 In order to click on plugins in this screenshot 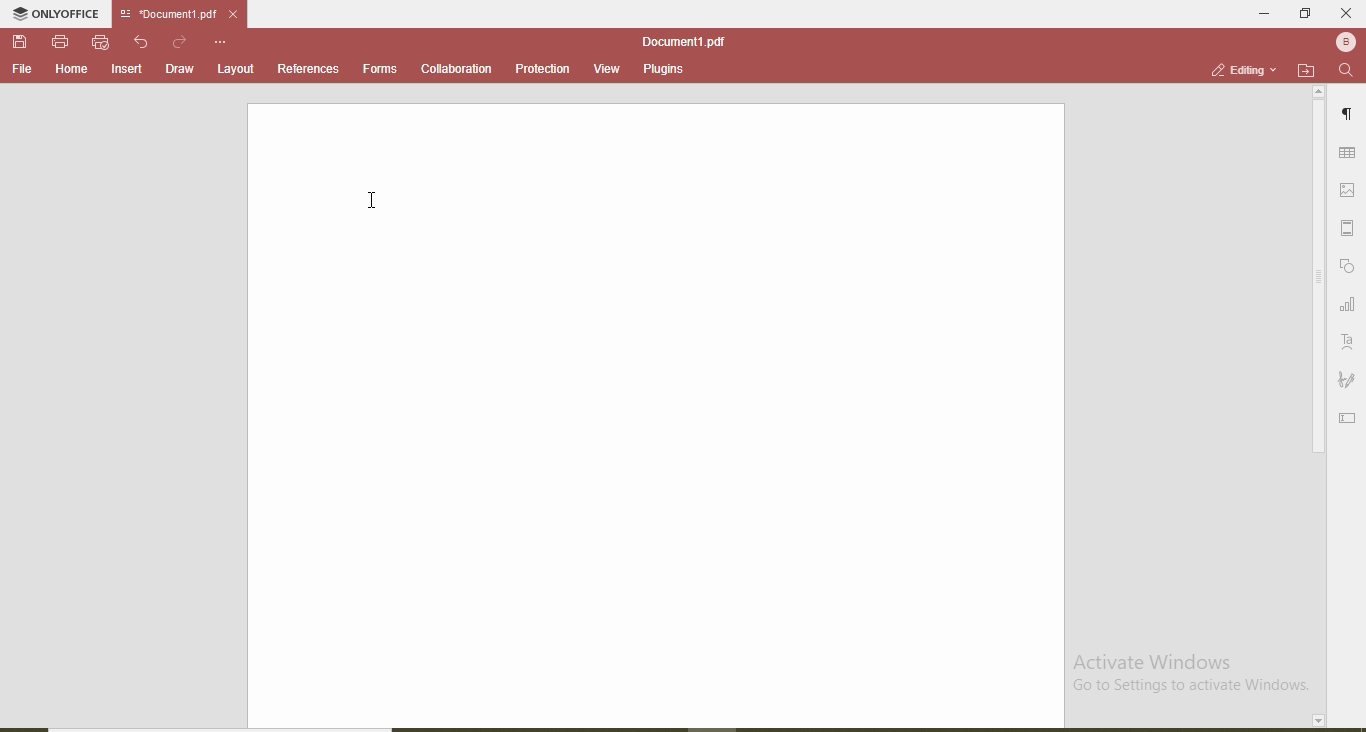, I will do `click(662, 71)`.